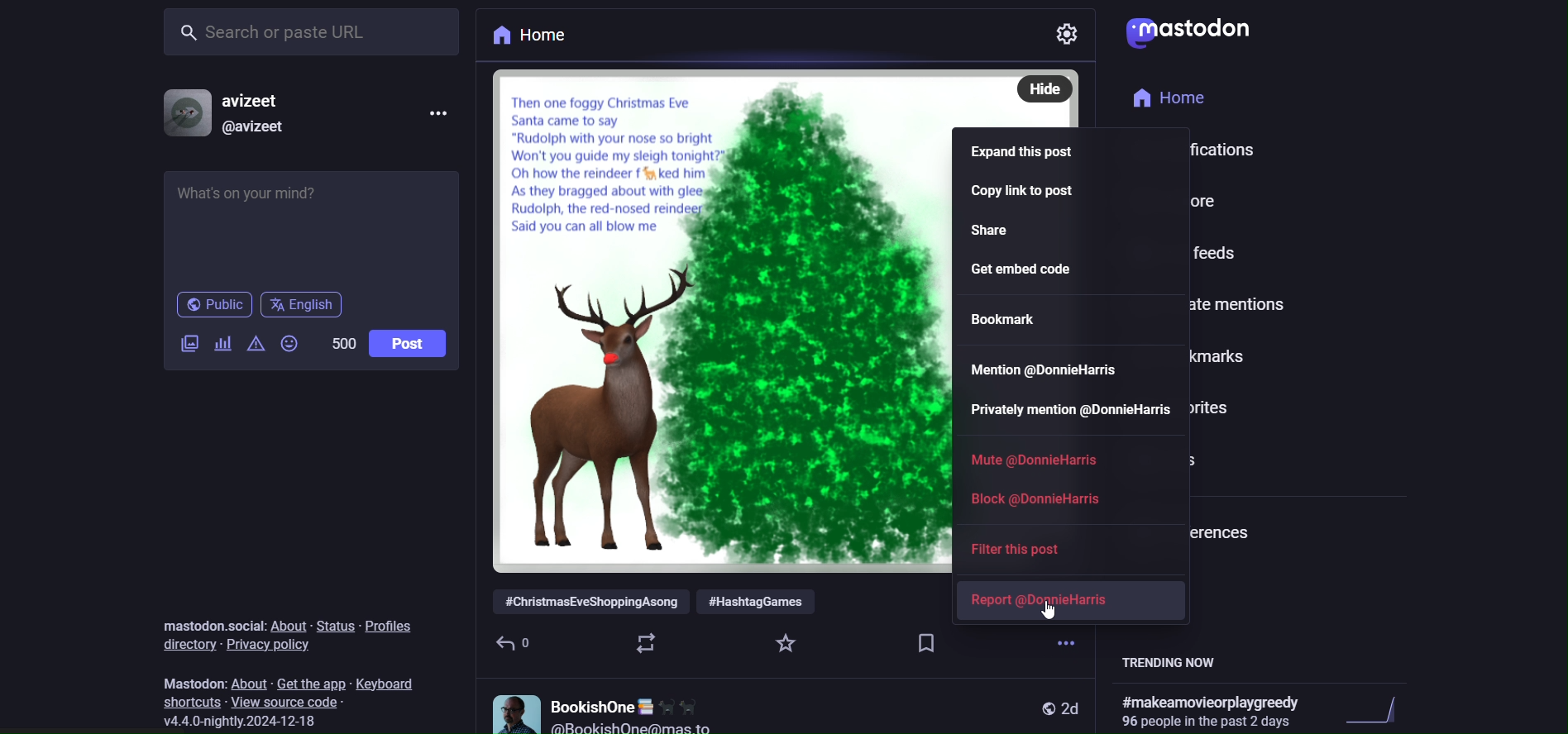 The height and width of the screenshot is (734, 1568). Describe the element at coordinates (1013, 319) in the screenshot. I see `bookmark` at that location.